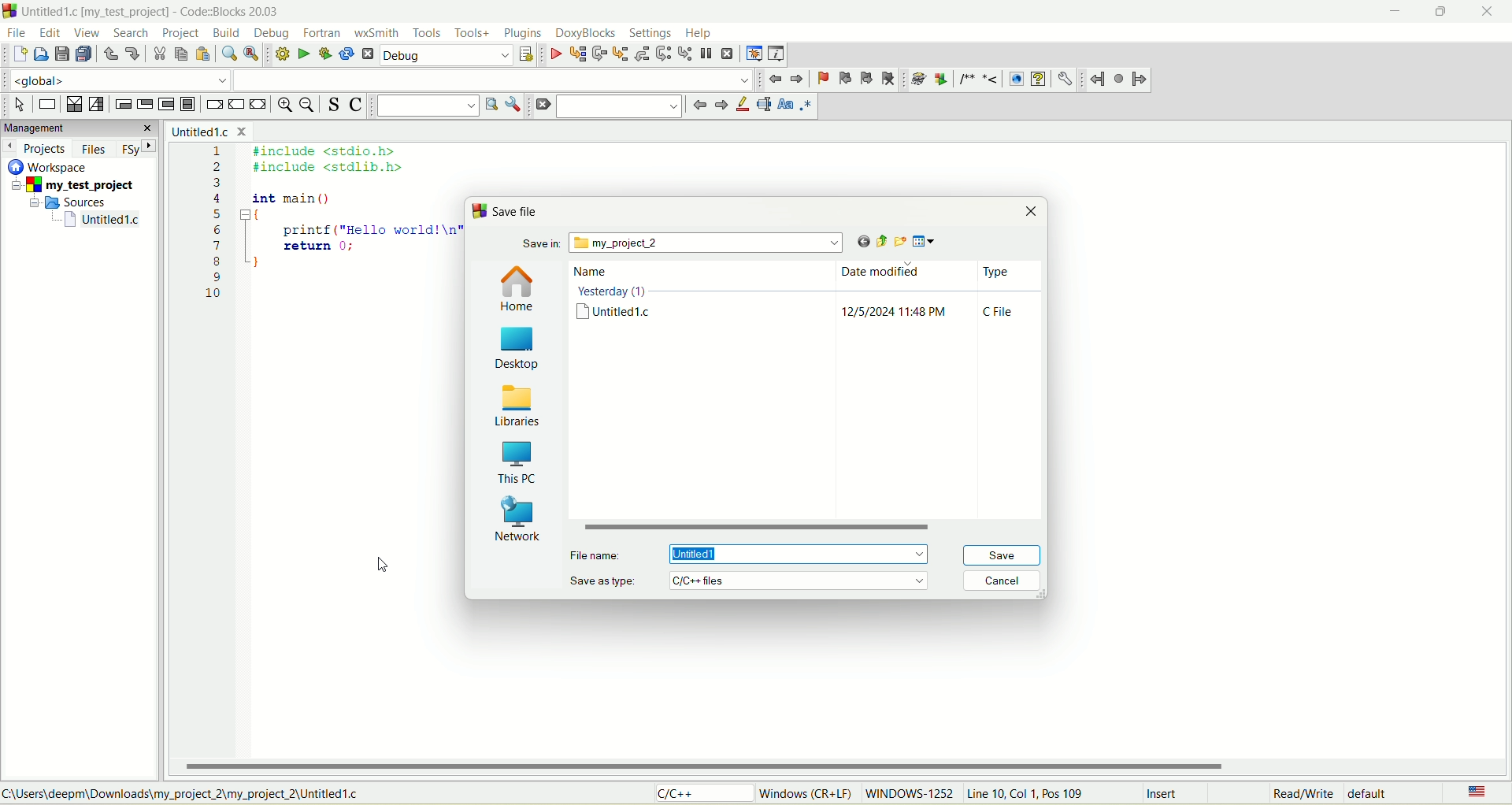  What do you see at coordinates (202, 54) in the screenshot?
I see `paste` at bounding box center [202, 54].